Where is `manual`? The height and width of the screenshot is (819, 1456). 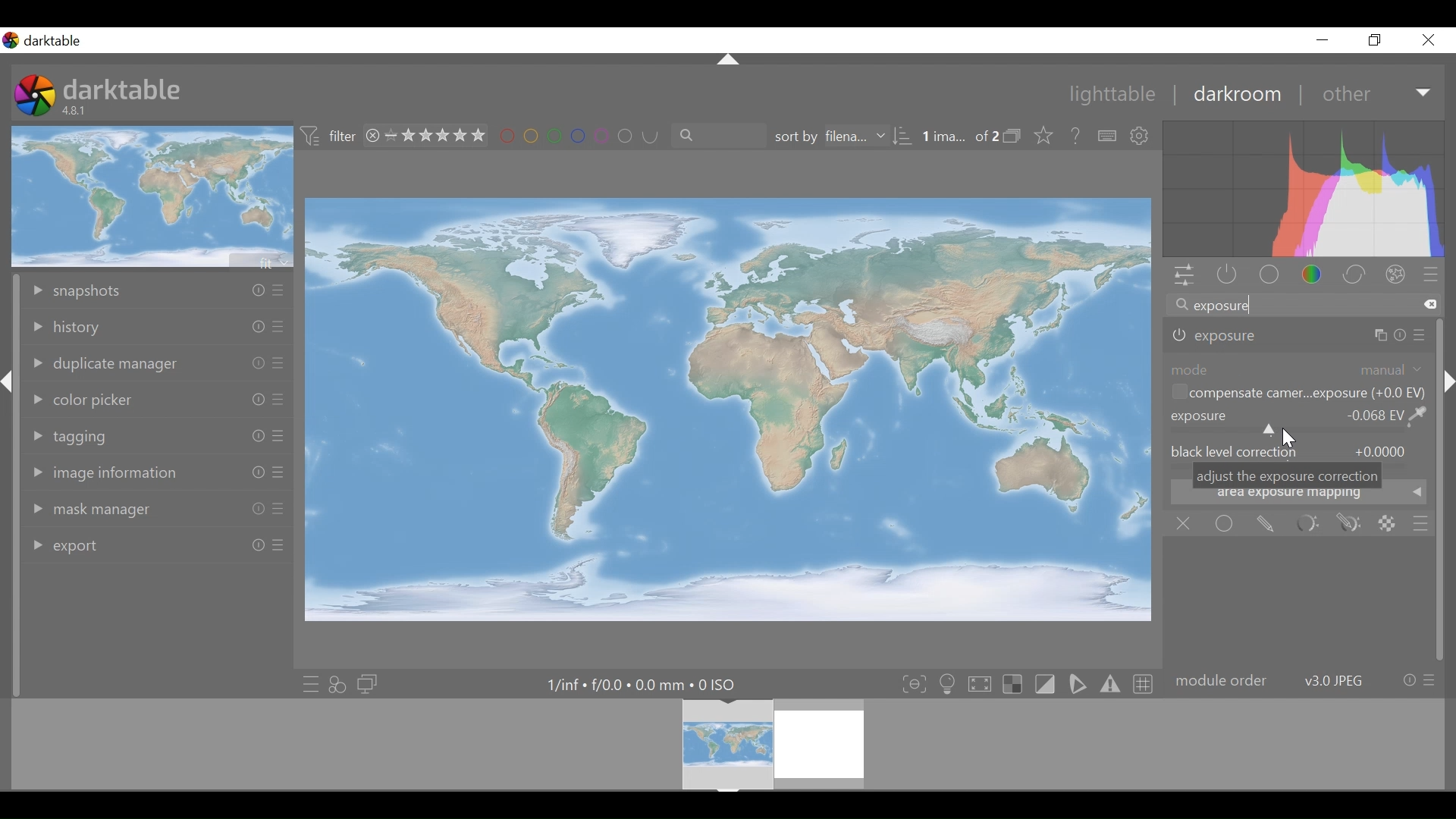 manual is located at coordinates (1389, 369).